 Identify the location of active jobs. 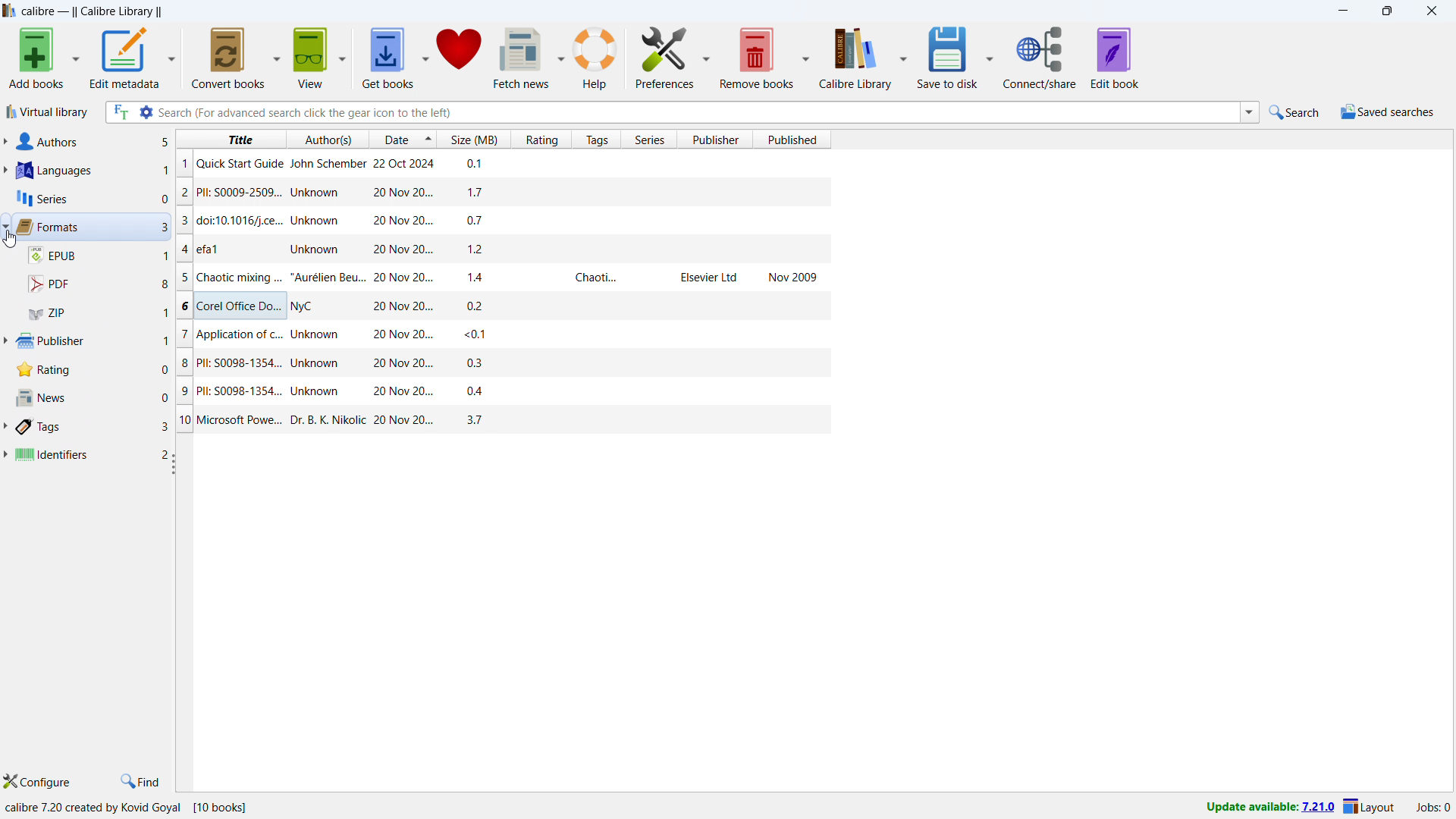
(1433, 809).